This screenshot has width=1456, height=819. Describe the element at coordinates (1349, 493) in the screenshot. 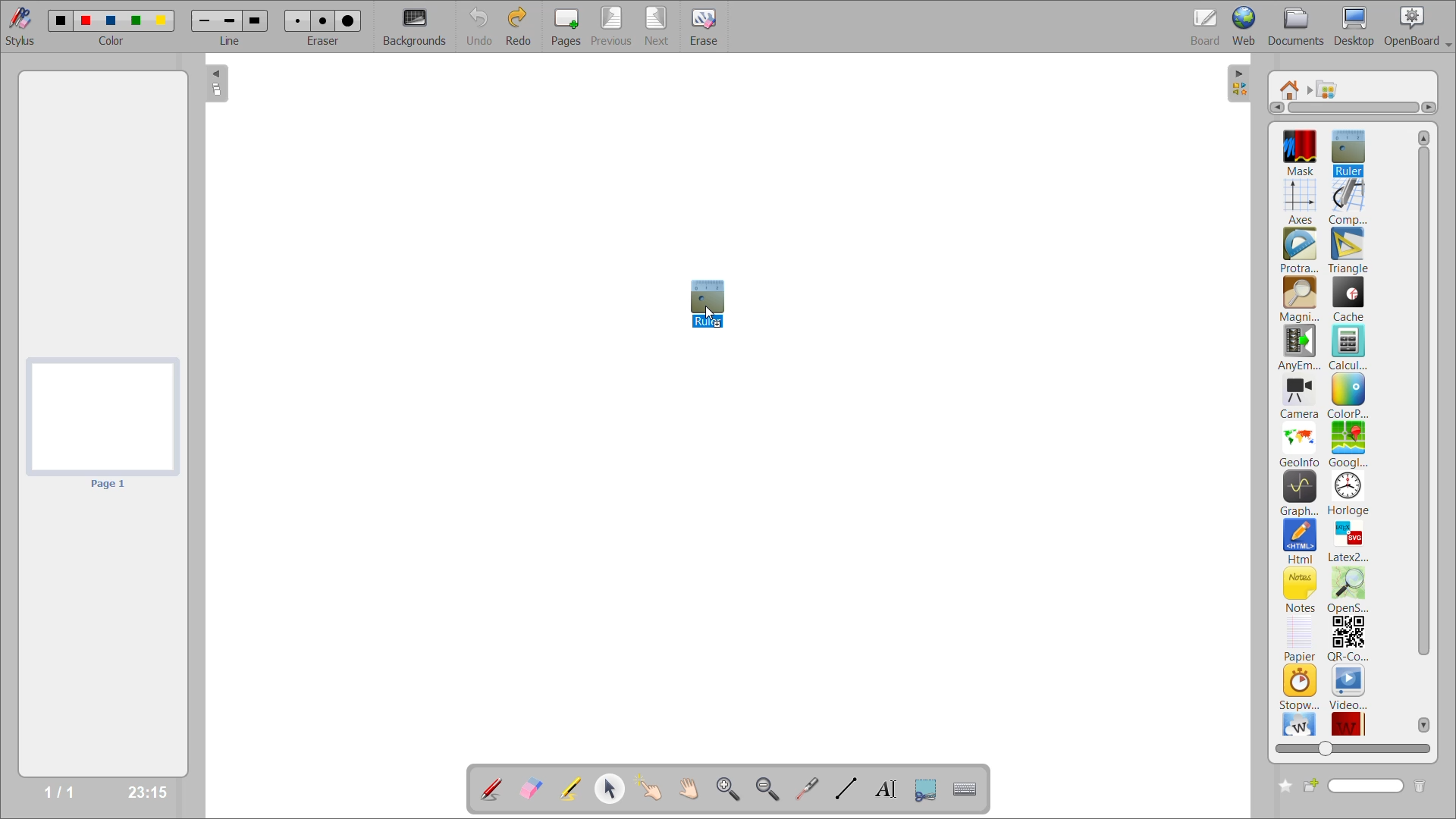

I see `horloge` at that location.